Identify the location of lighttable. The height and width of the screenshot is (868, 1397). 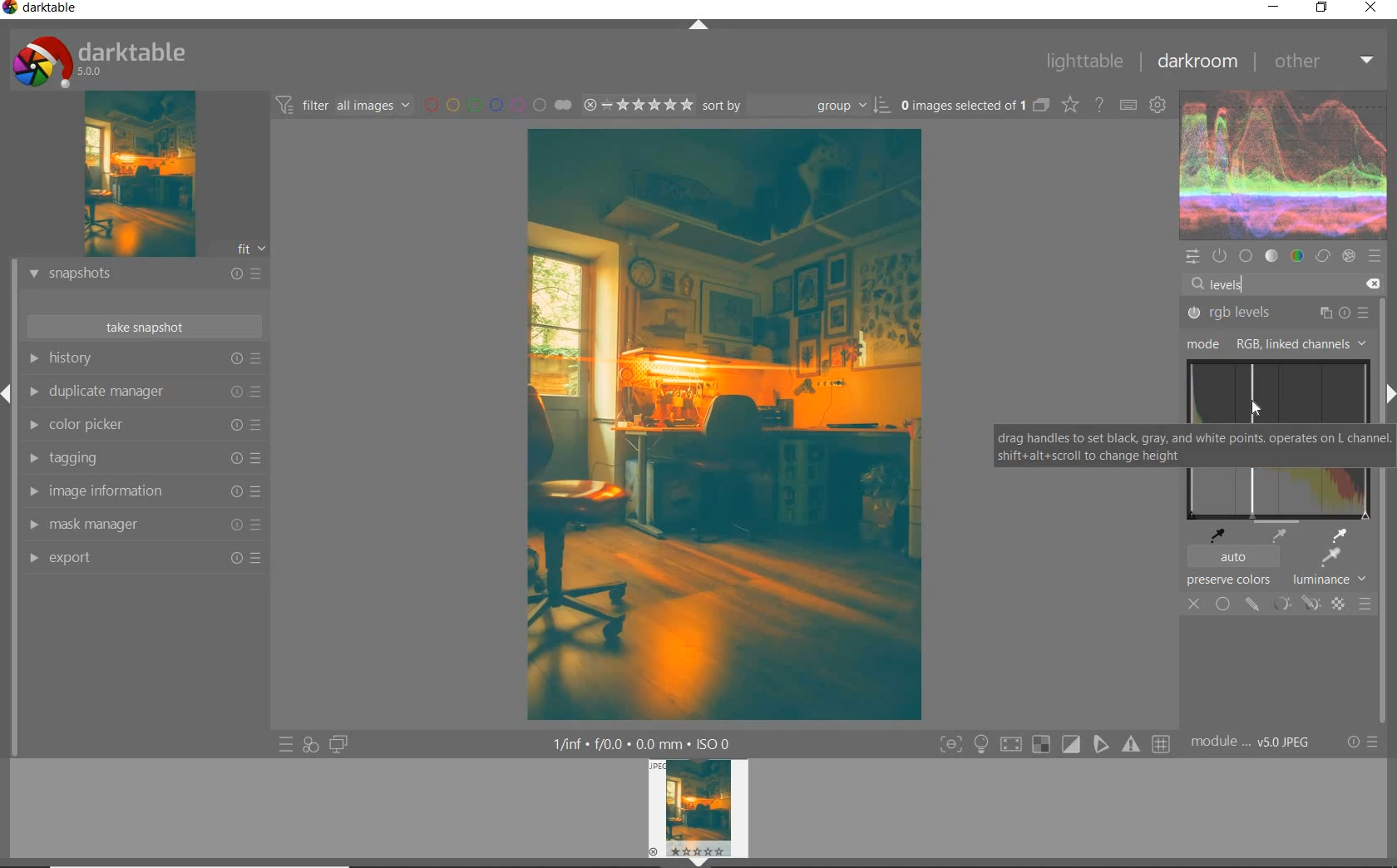
(1085, 63).